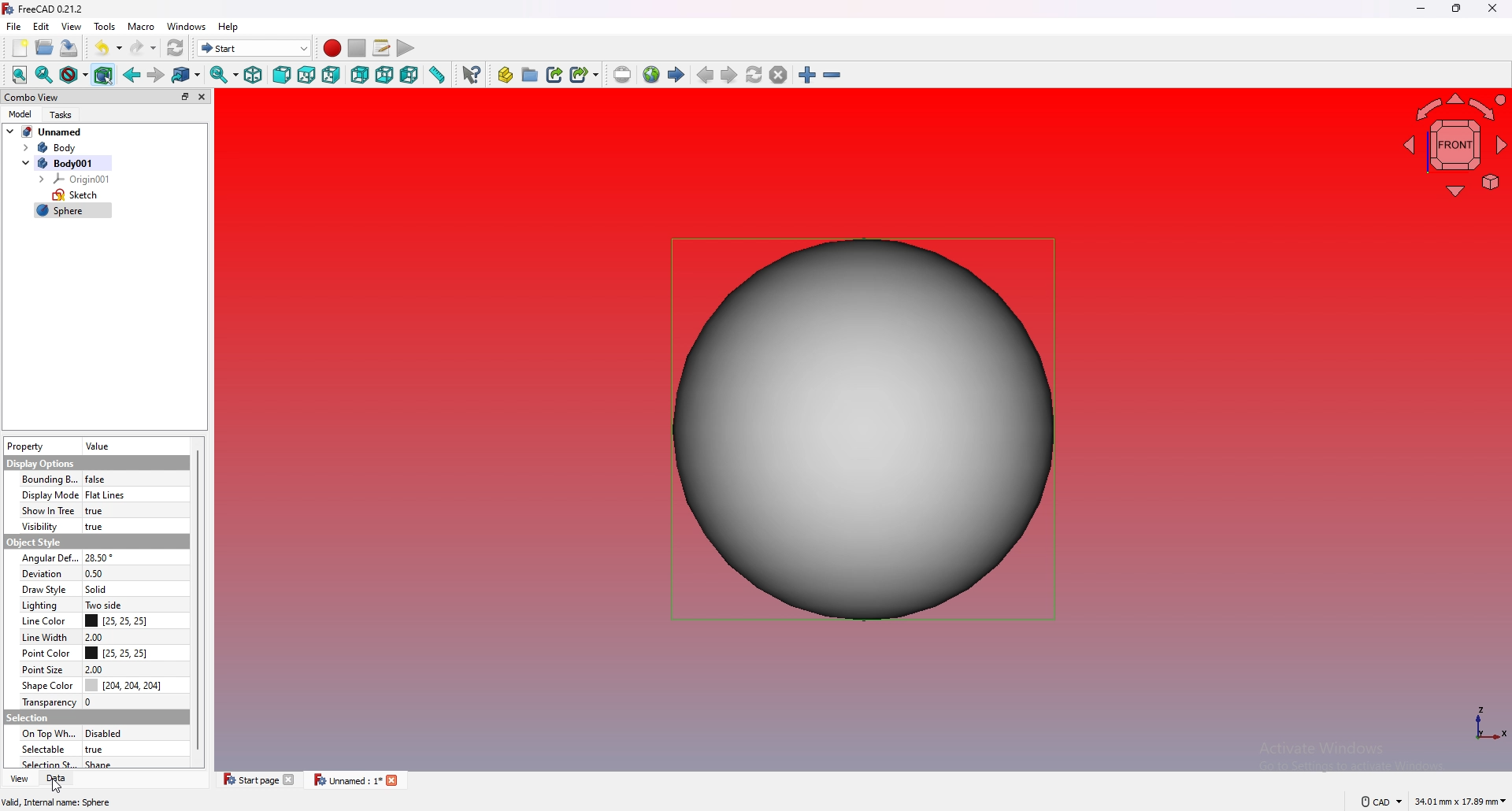 Image resolution: width=1512 pixels, height=811 pixels. What do you see at coordinates (64, 163) in the screenshot?
I see `body001` at bounding box center [64, 163].